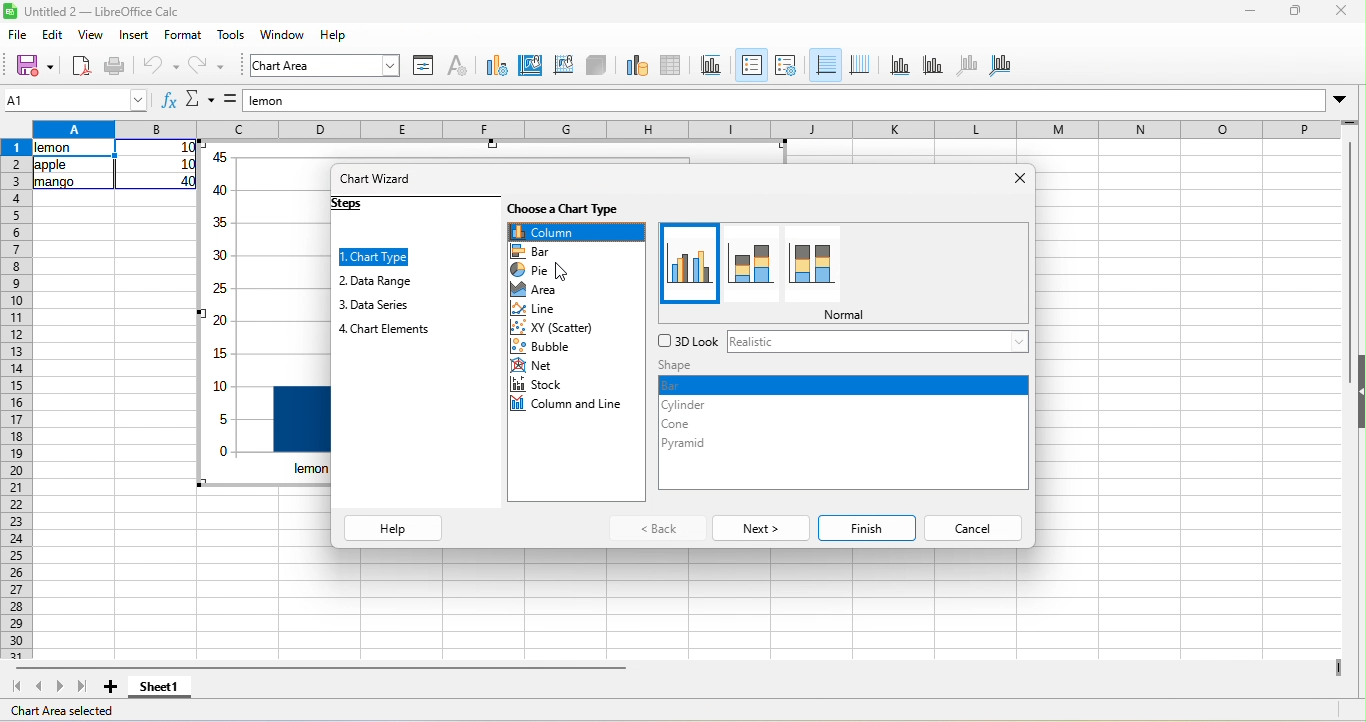 Image resolution: width=1366 pixels, height=722 pixels. Describe the element at coordinates (826, 67) in the screenshot. I see `horizontal grid` at that location.